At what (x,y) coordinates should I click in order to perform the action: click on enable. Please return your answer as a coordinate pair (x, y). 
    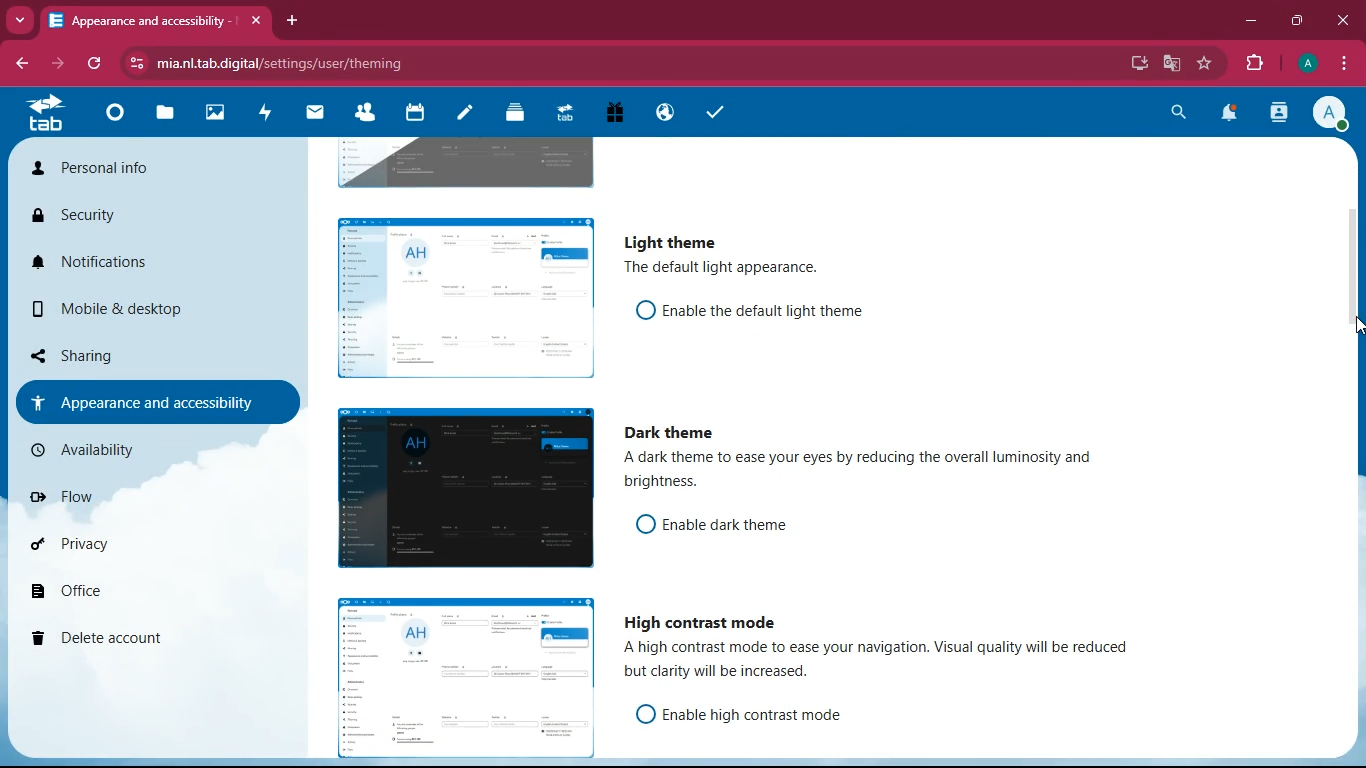
    Looking at the image, I should click on (743, 525).